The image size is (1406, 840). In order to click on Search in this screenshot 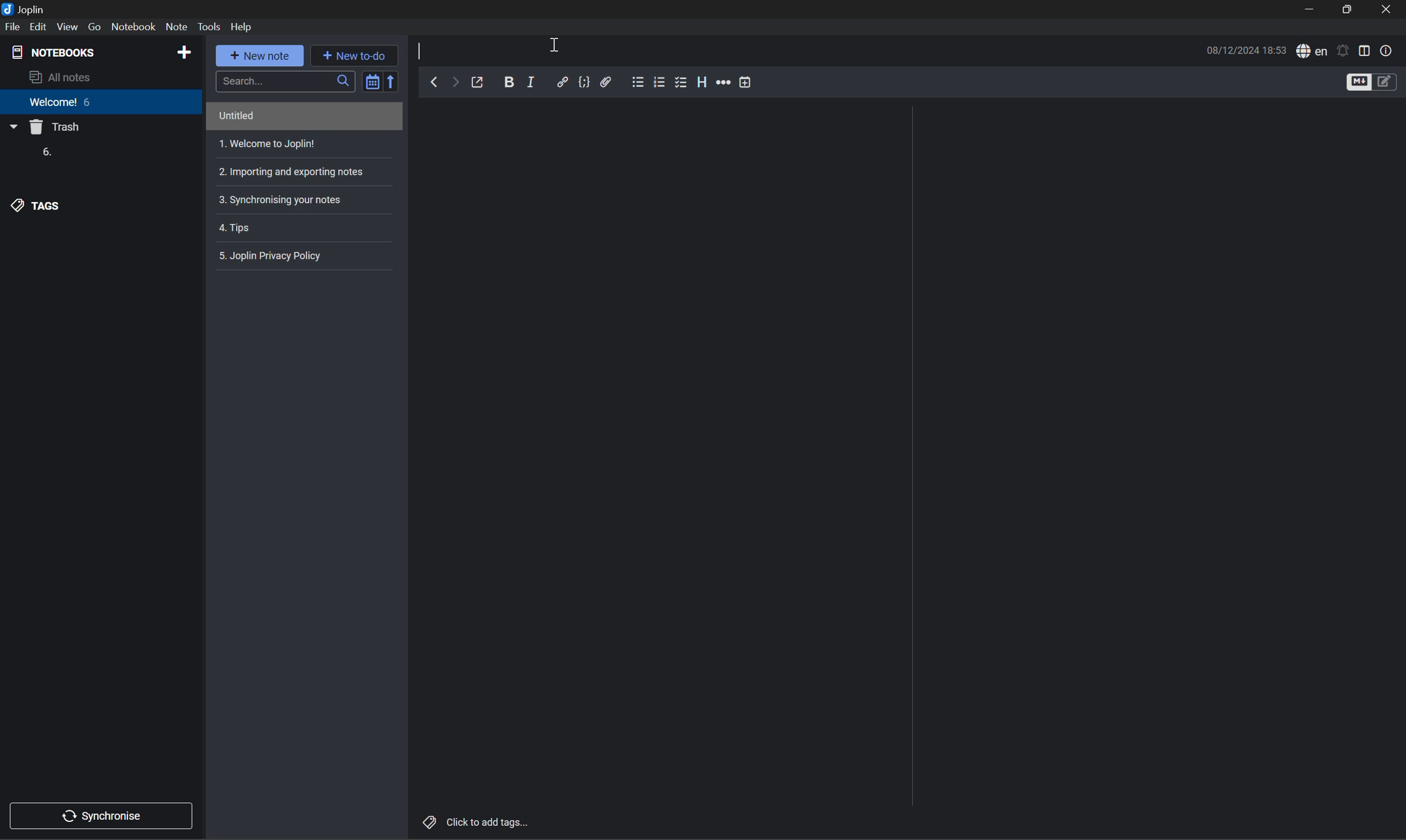, I will do `click(284, 80)`.